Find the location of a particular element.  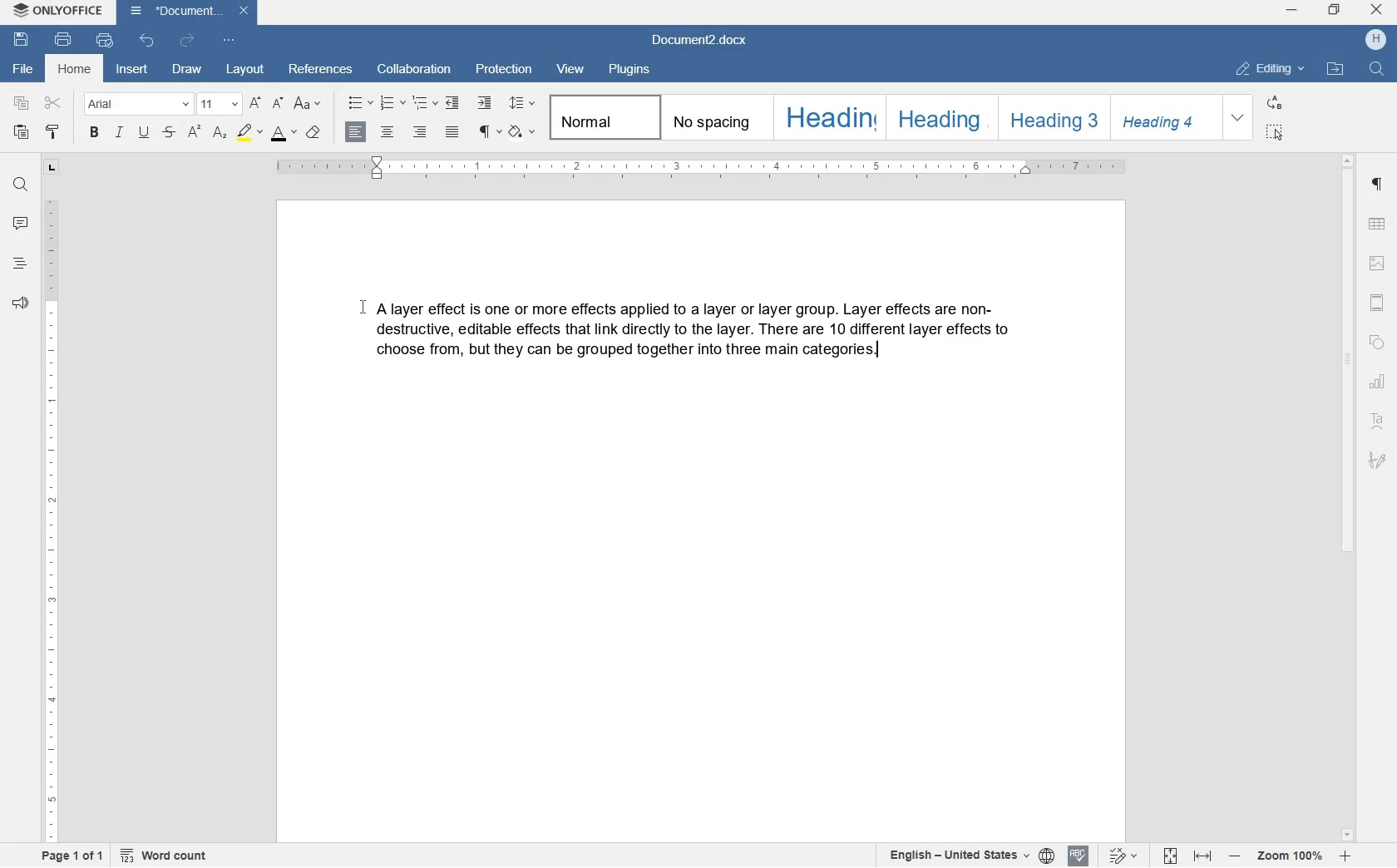

editing is located at coordinates (1271, 71).